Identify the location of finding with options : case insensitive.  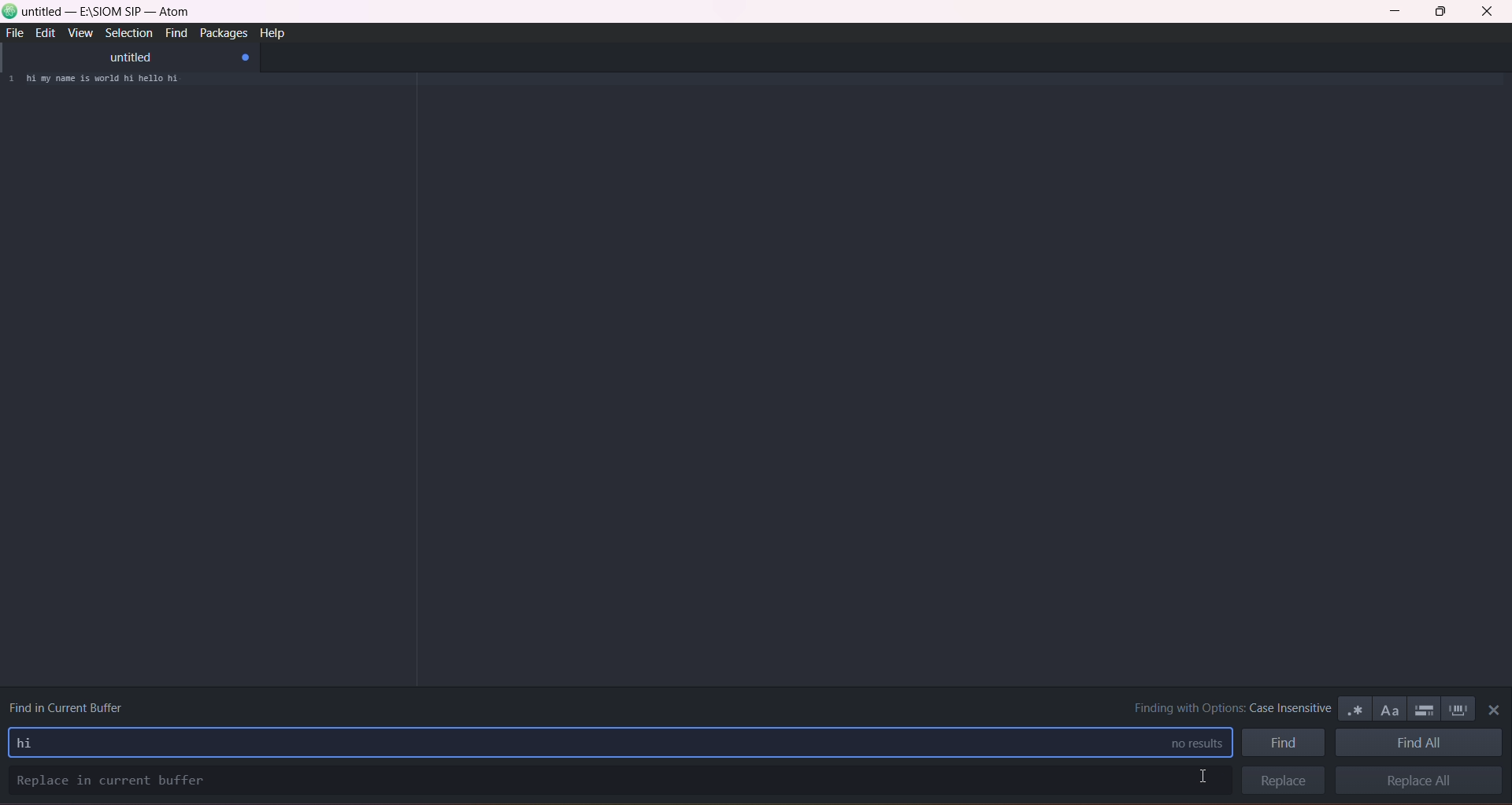
(1221, 707).